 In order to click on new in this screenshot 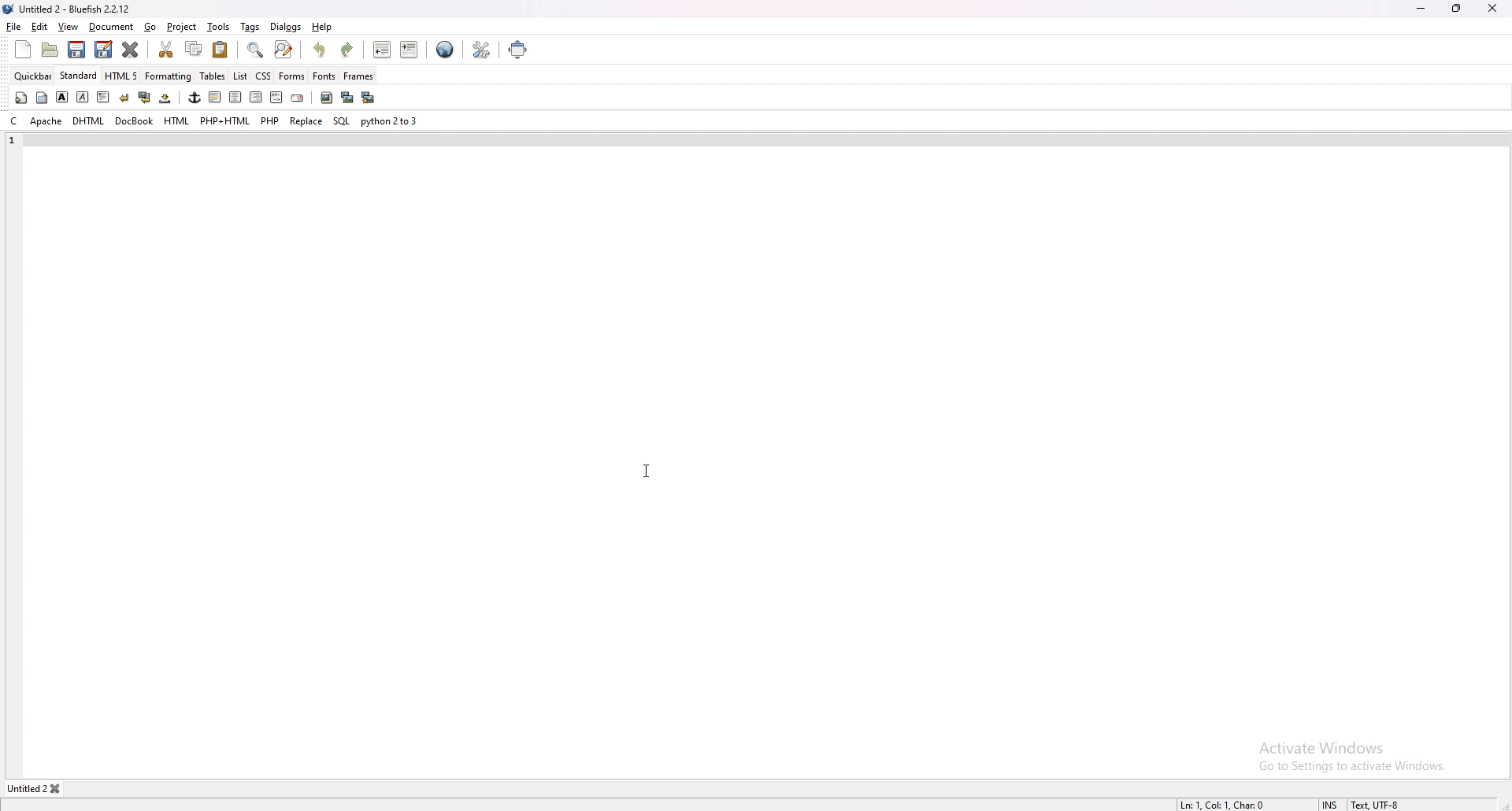, I will do `click(23, 49)`.